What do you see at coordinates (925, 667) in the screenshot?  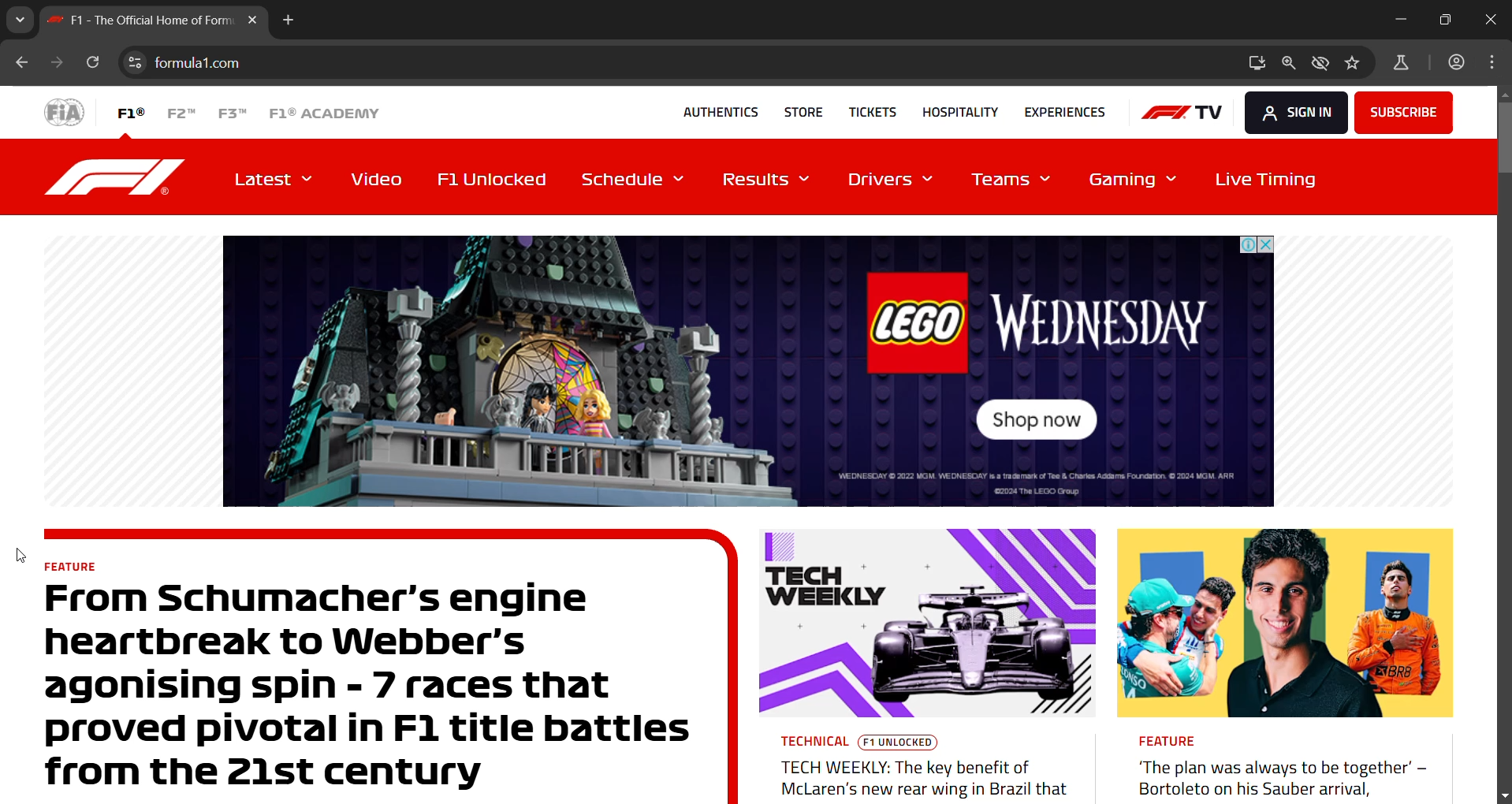 I see `News : TECH WEEKLY TECHNICAL TECH WEEKLY: The key benefit ofMcLaren's new rear wing in Brazil that` at bounding box center [925, 667].